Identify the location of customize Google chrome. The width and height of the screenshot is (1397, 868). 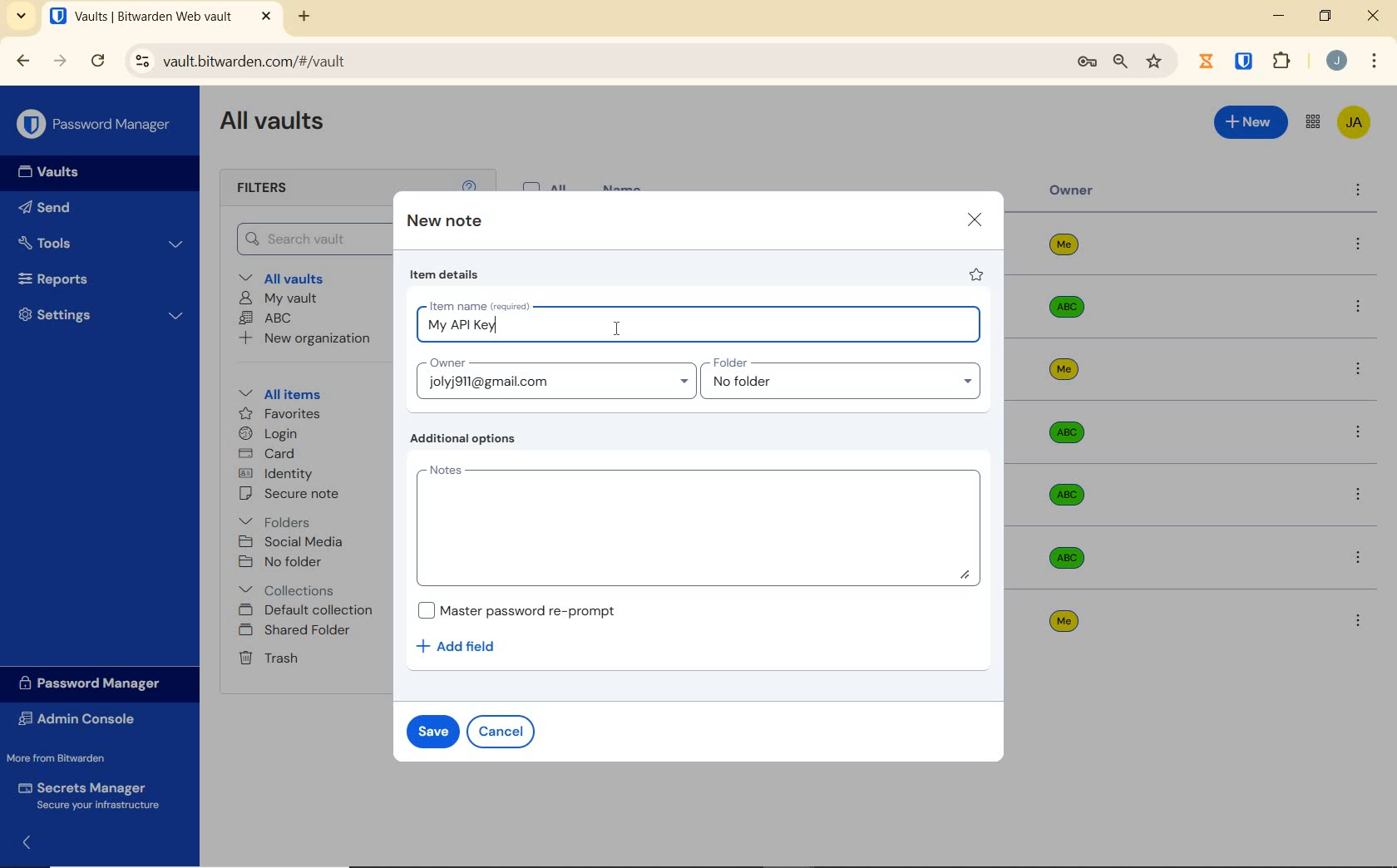
(1374, 62).